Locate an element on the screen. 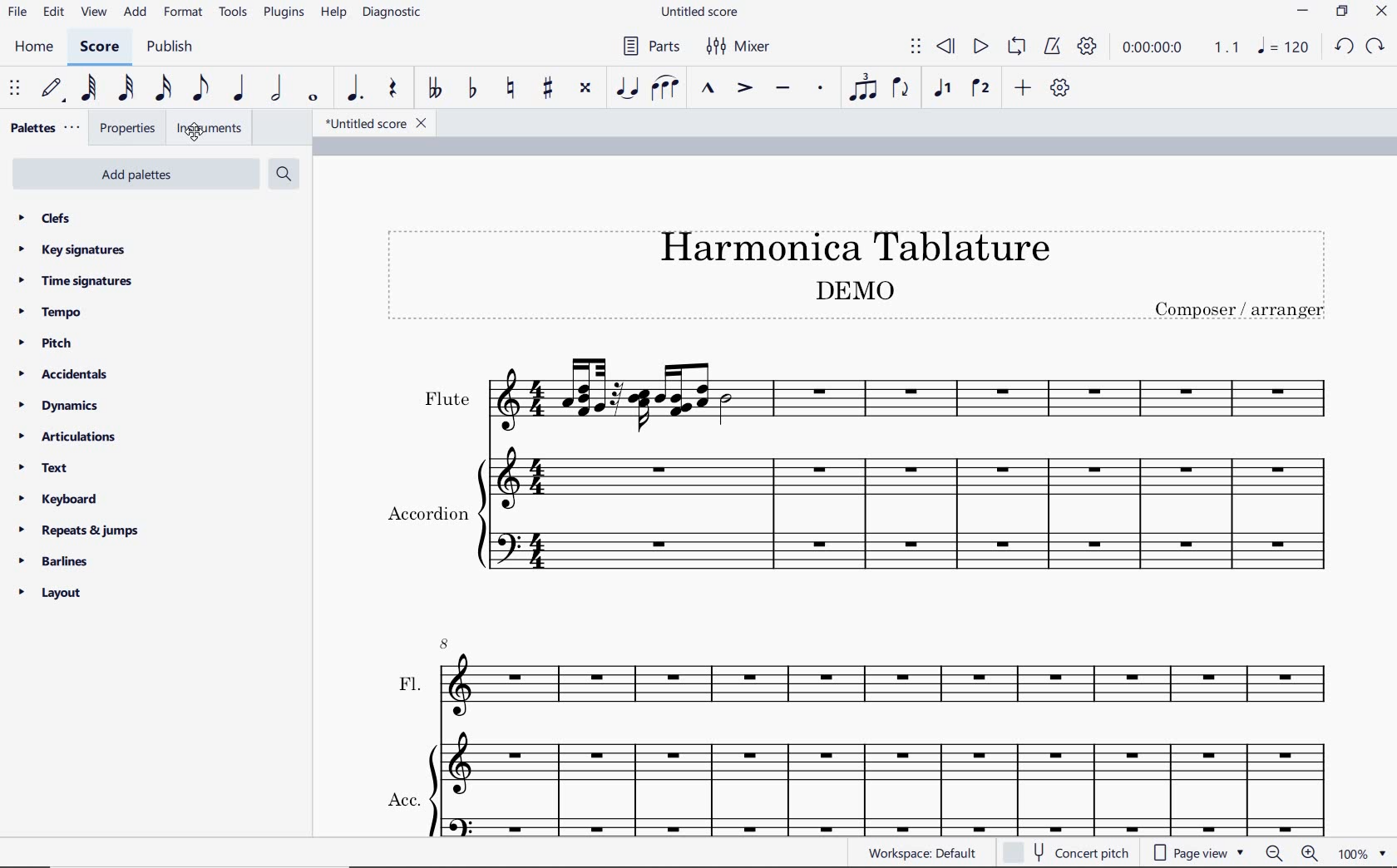 This screenshot has height=868, width=1397. PARTS is located at coordinates (649, 47).